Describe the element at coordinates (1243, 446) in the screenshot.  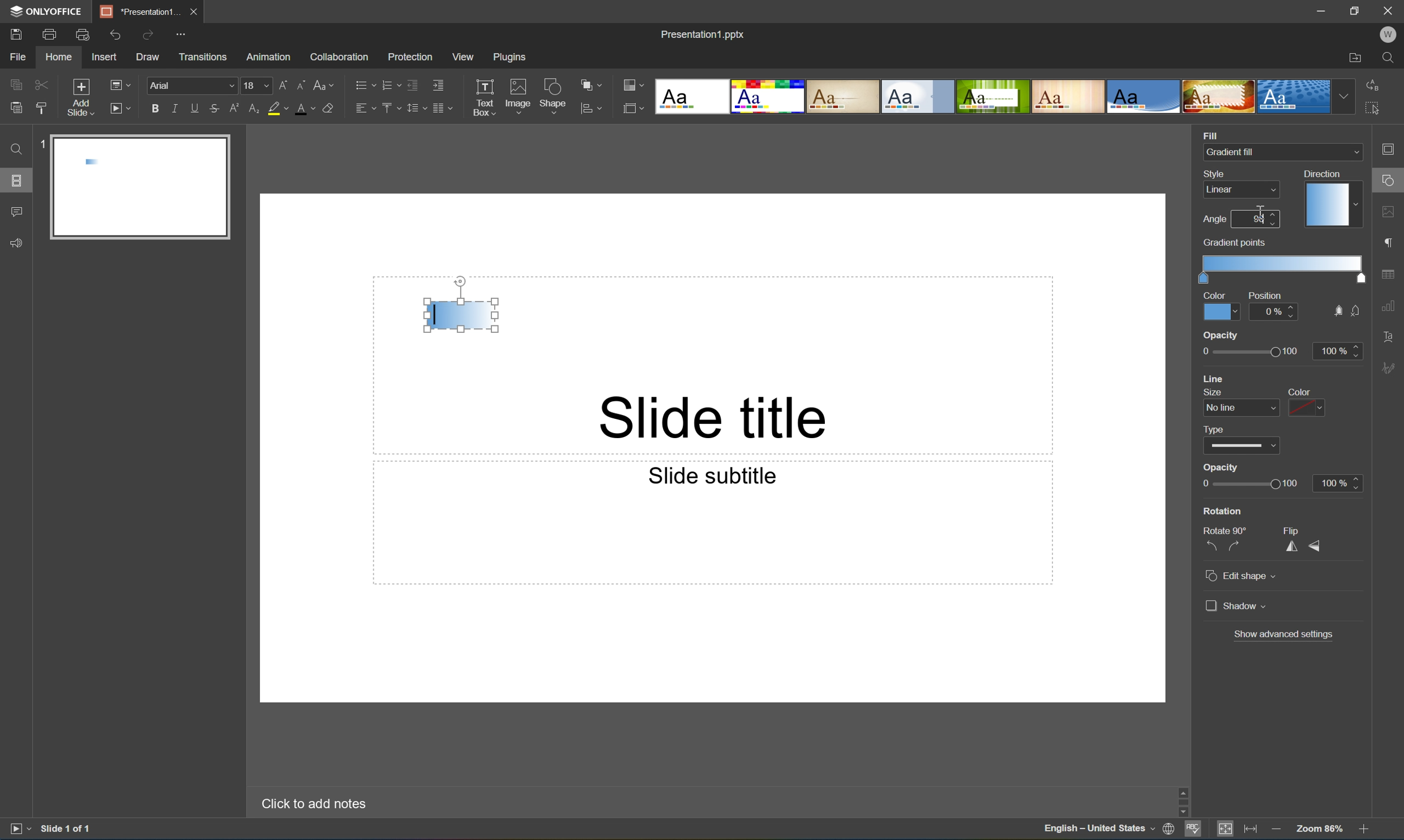
I see `type dropdown` at that location.